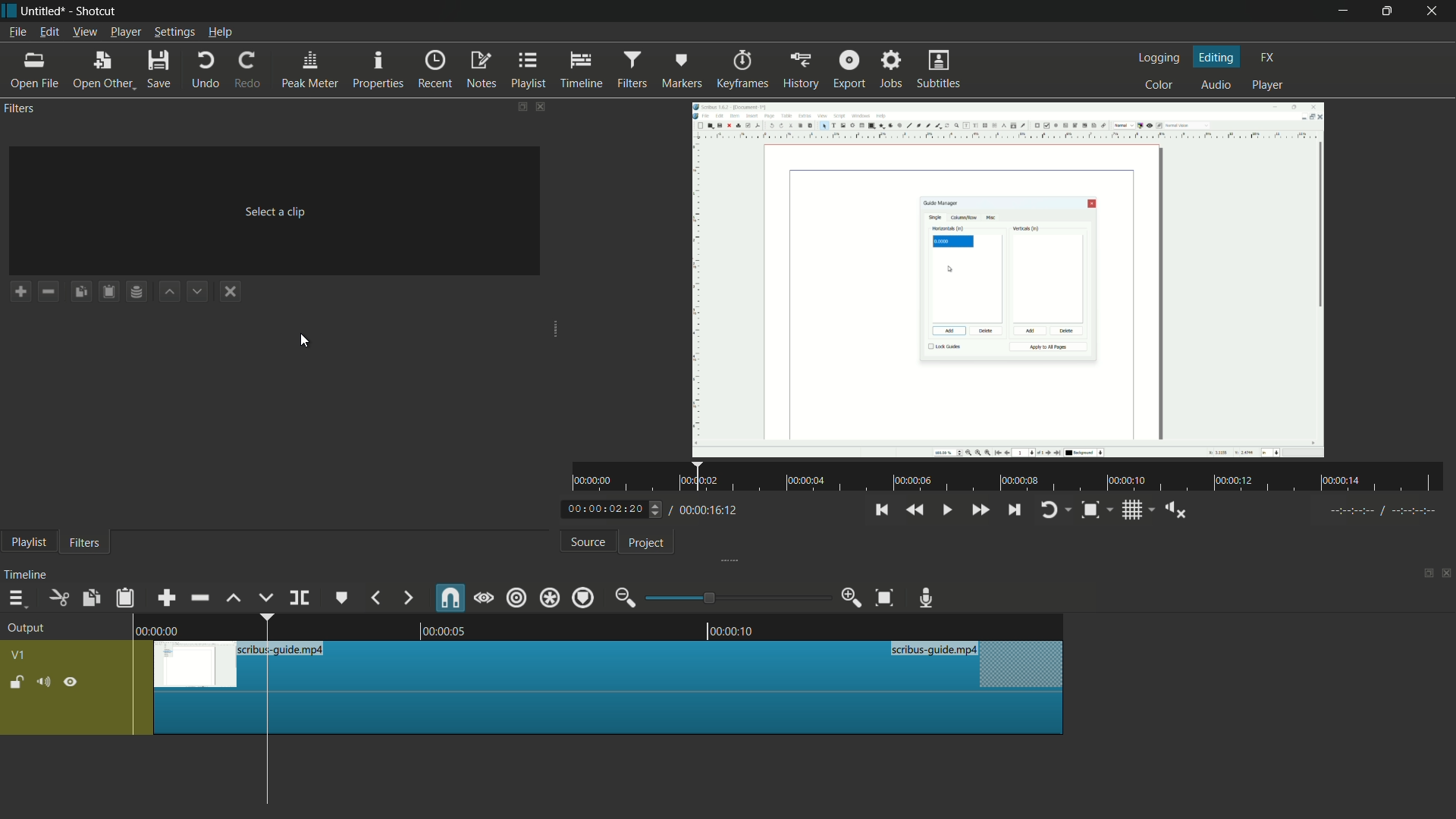 The width and height of the screenshot is (1456, 819). Describe the element at coordinates (31, 69) in the screenshot. I see `open file` at that location.